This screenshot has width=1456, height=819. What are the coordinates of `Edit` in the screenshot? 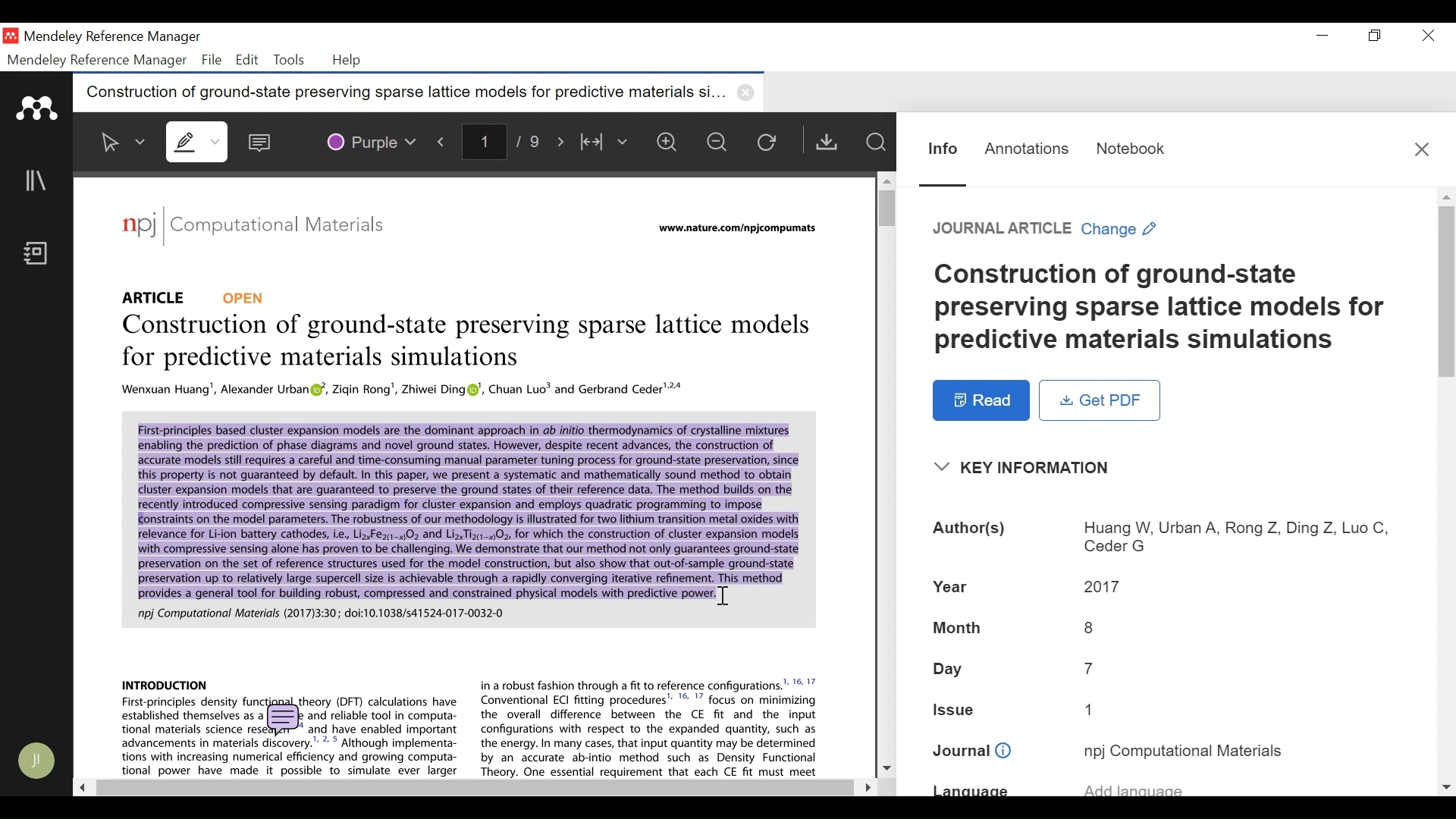 It's located at (245, 60).